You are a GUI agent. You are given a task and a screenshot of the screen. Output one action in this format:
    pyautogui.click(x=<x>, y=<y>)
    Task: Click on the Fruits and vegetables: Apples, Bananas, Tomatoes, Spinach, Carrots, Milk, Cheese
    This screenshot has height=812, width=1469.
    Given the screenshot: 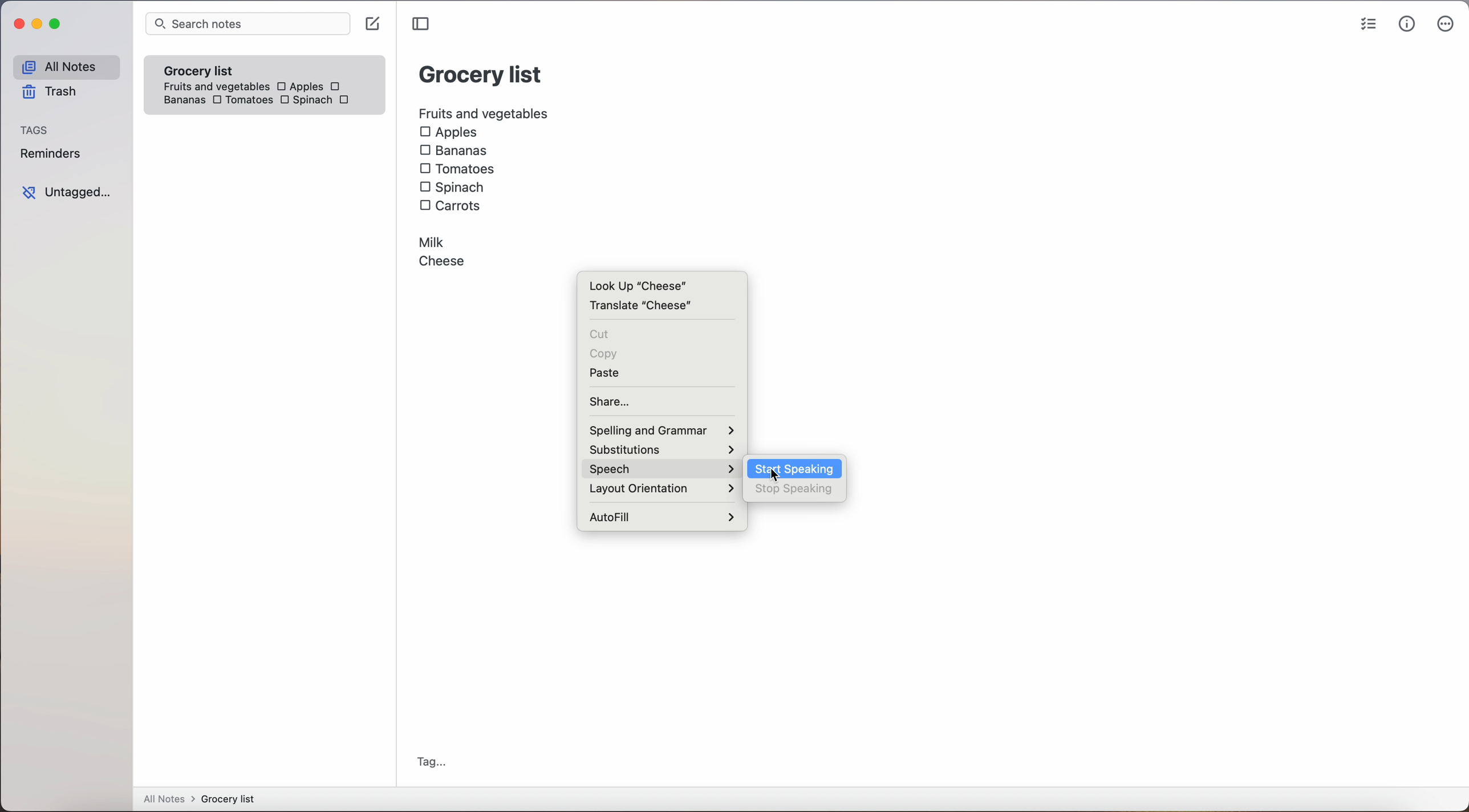 What is the action you would take?
    pyautogui.click(x=483, y=188)
    